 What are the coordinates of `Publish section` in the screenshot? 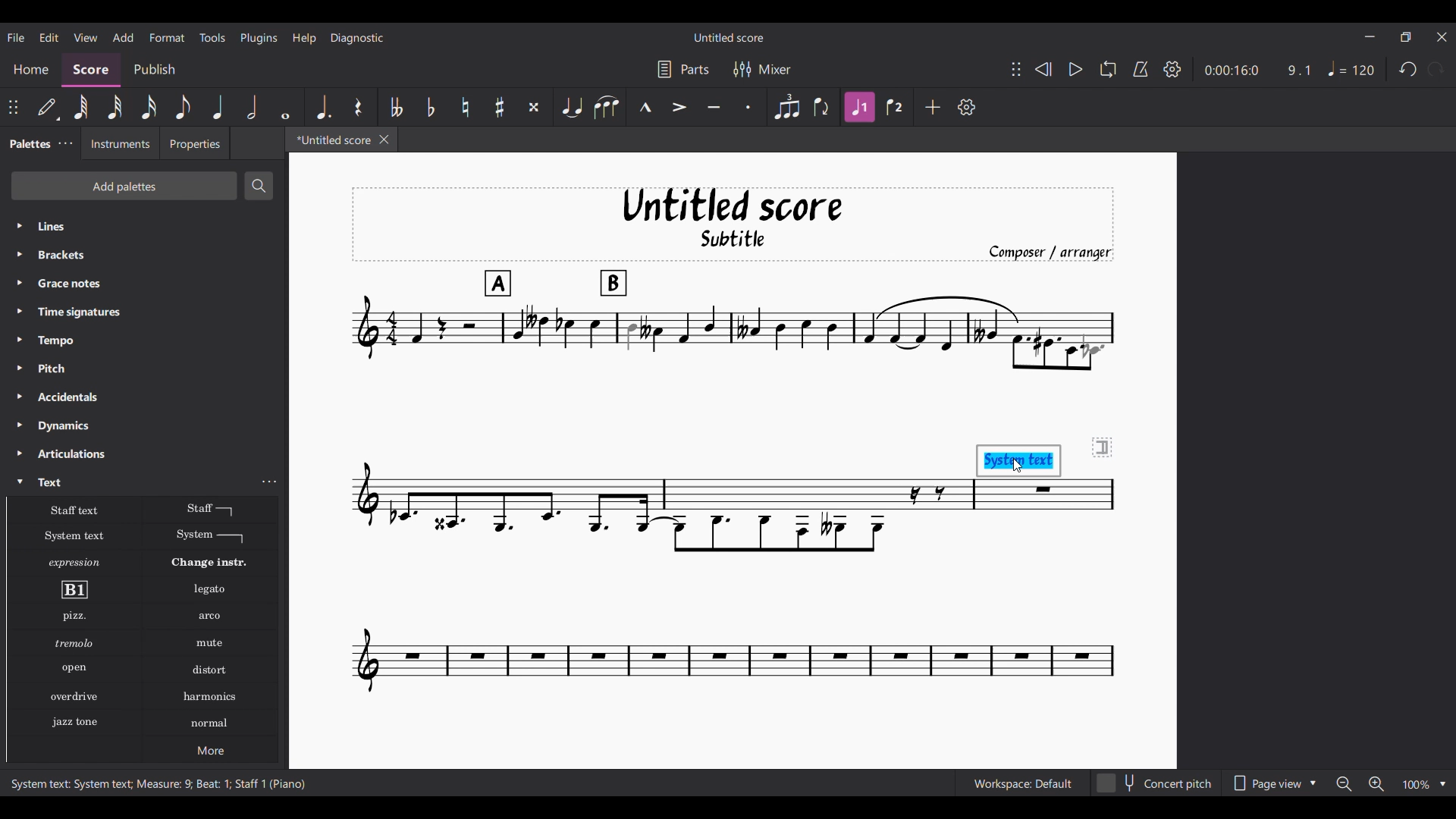 It's located at (154, 70).